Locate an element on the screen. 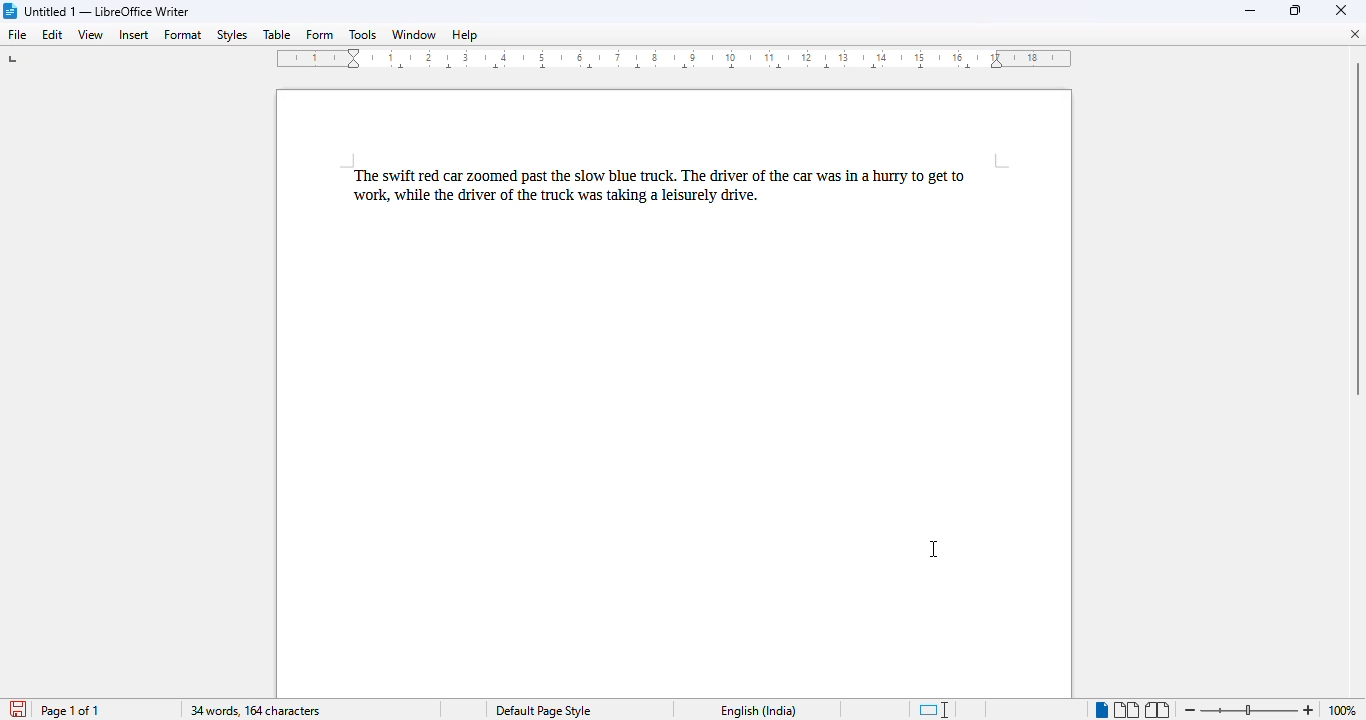 This screenshot has height=720, width=1366. close is located at coordinates (1341, 10).